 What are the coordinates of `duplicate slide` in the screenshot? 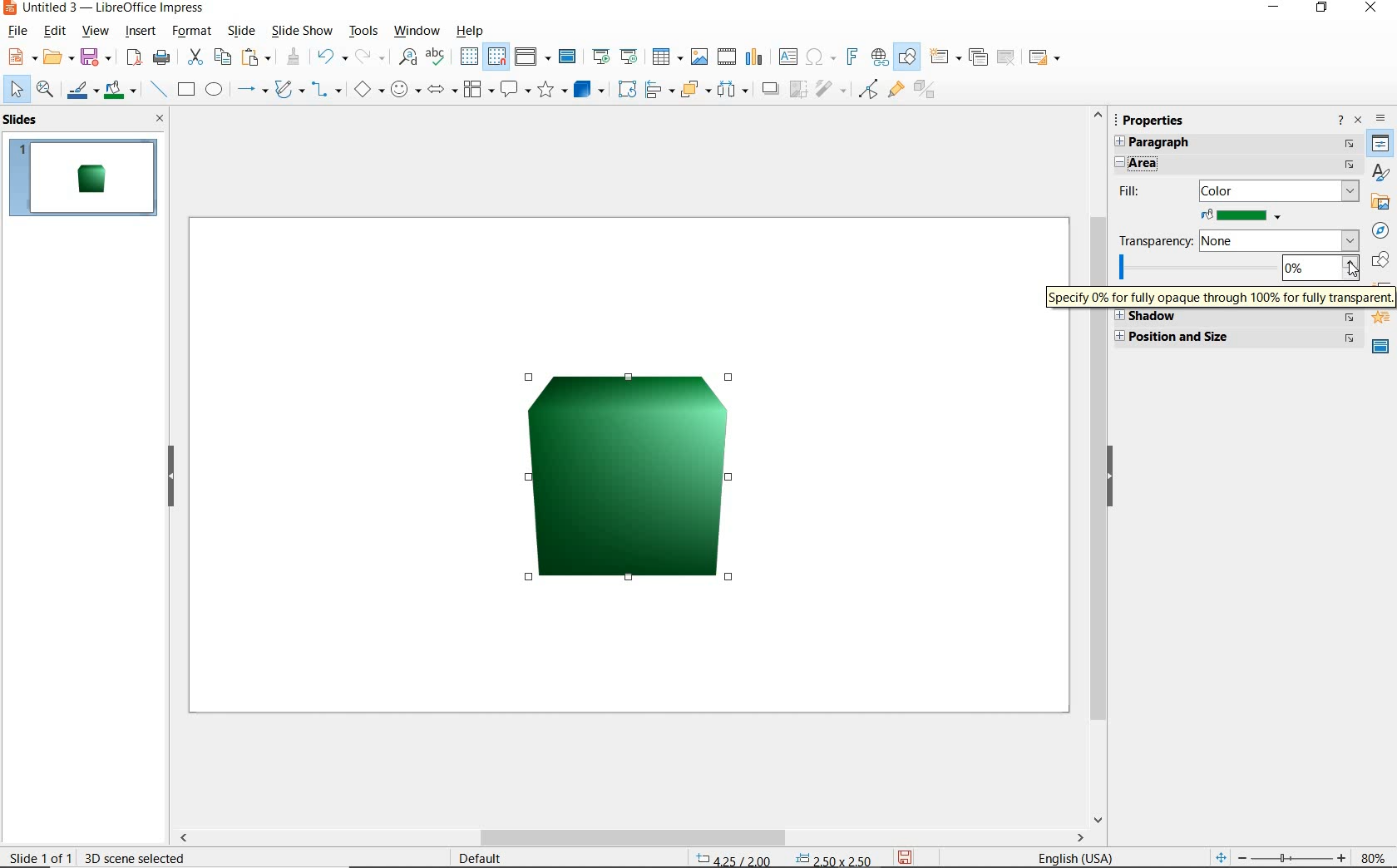 It's located at (978, 55).